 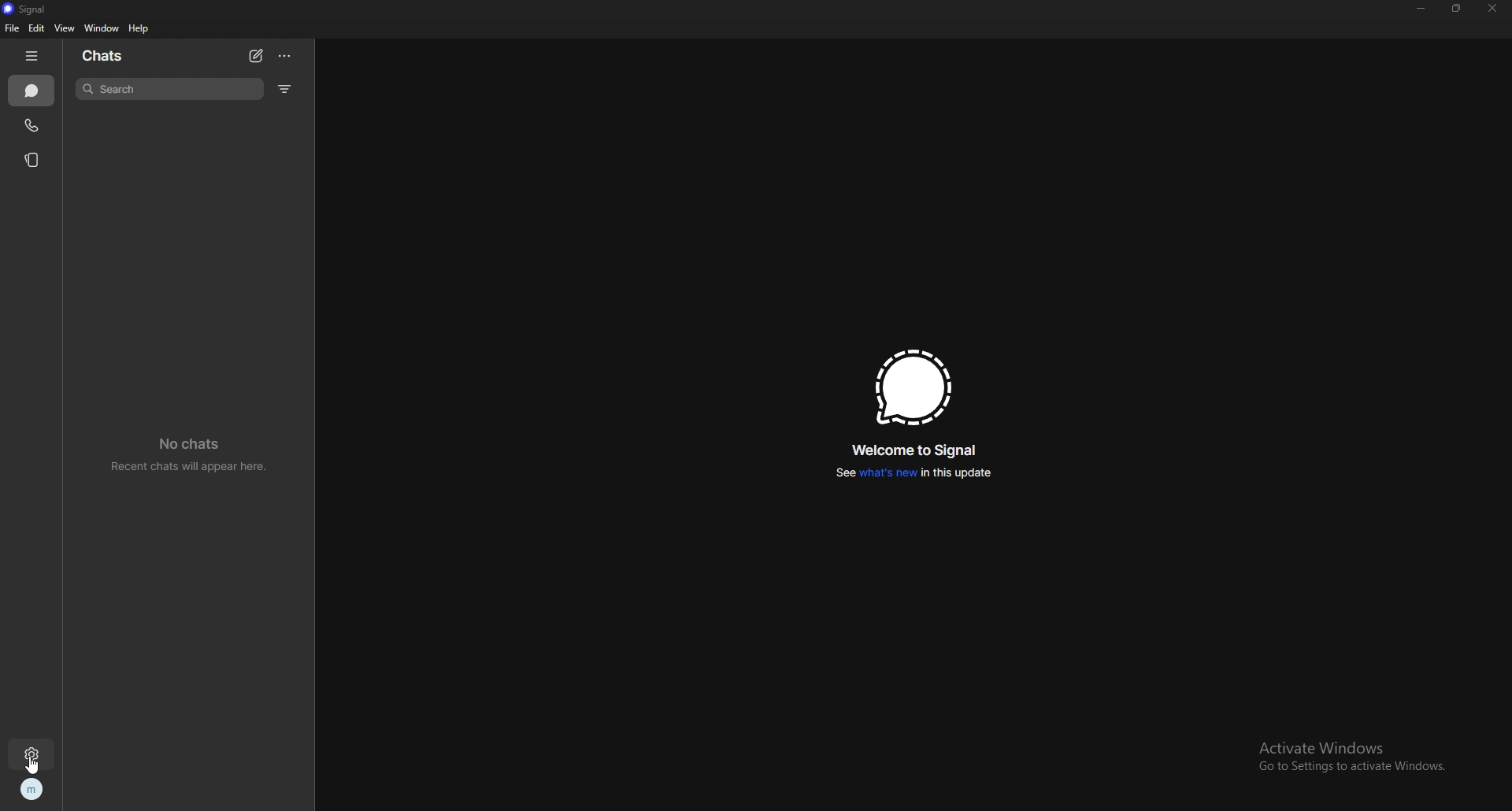 I want to click on hide tab, so click(x=32, y=56).